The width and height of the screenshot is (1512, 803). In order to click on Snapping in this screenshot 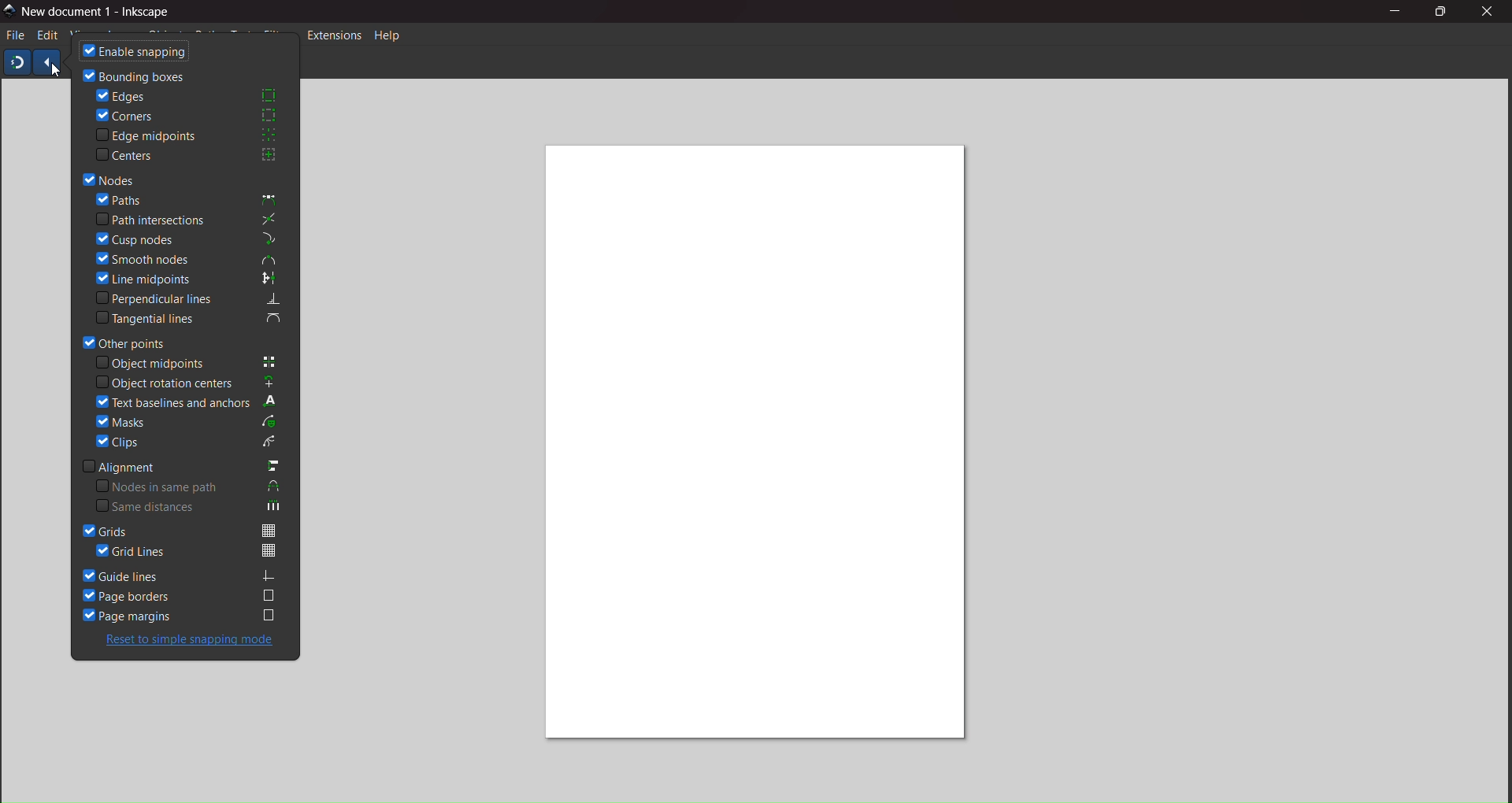, I will do `click(17, 61)`.